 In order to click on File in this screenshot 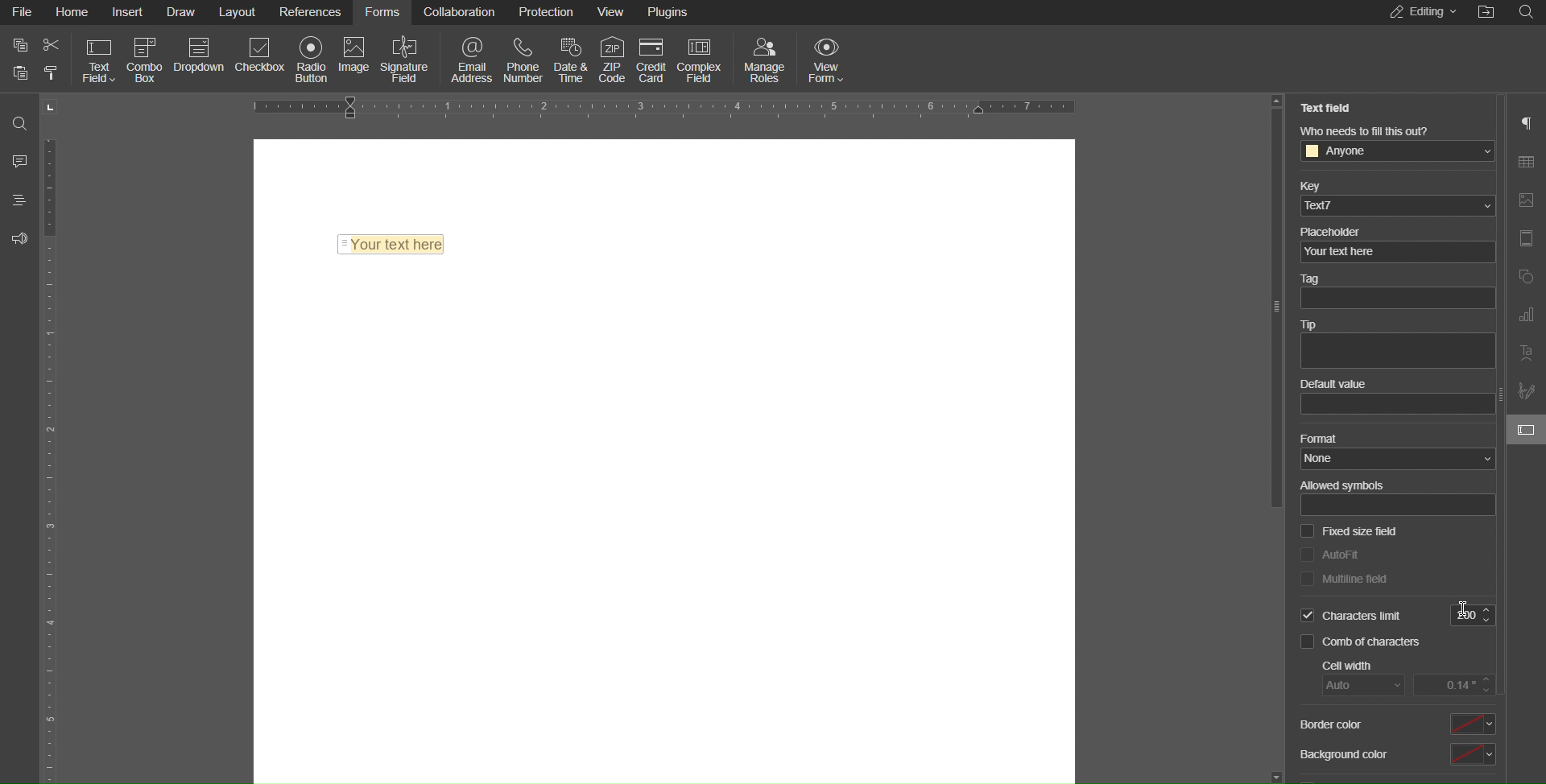, I will do `click(20, 12)`.